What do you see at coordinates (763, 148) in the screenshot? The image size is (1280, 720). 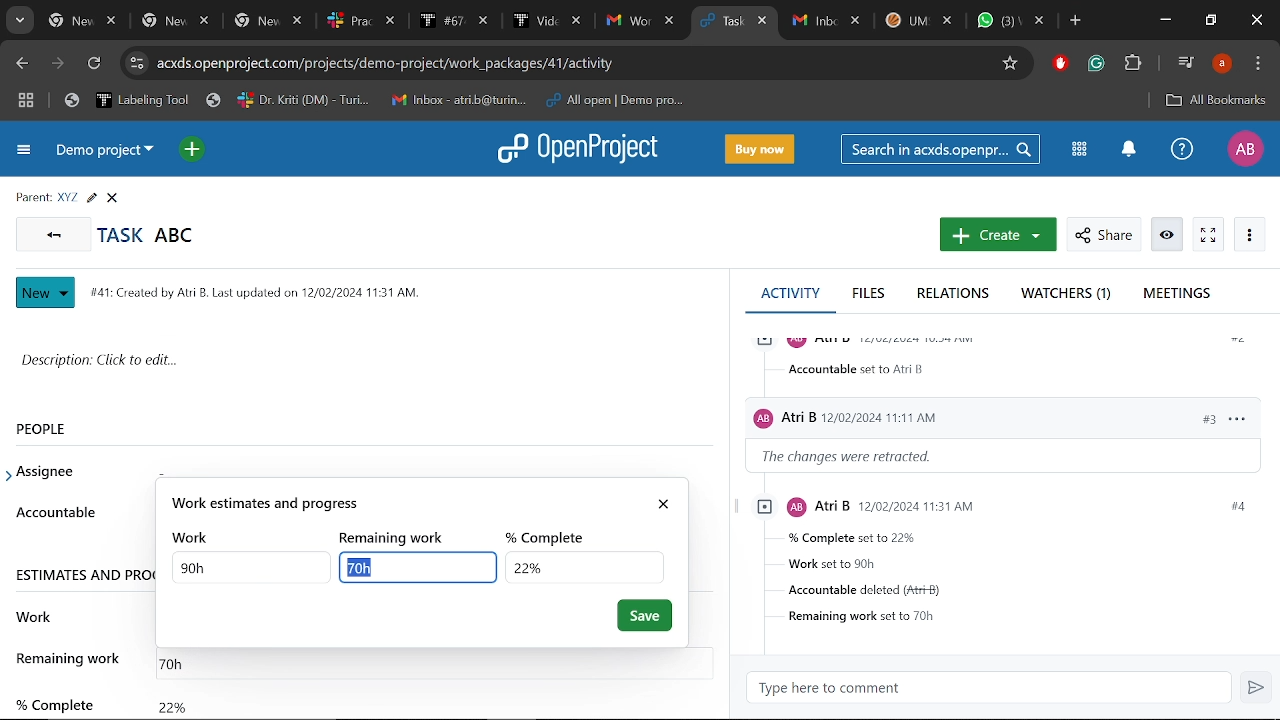 I see `Buy now` at bounding box center [763, 148].